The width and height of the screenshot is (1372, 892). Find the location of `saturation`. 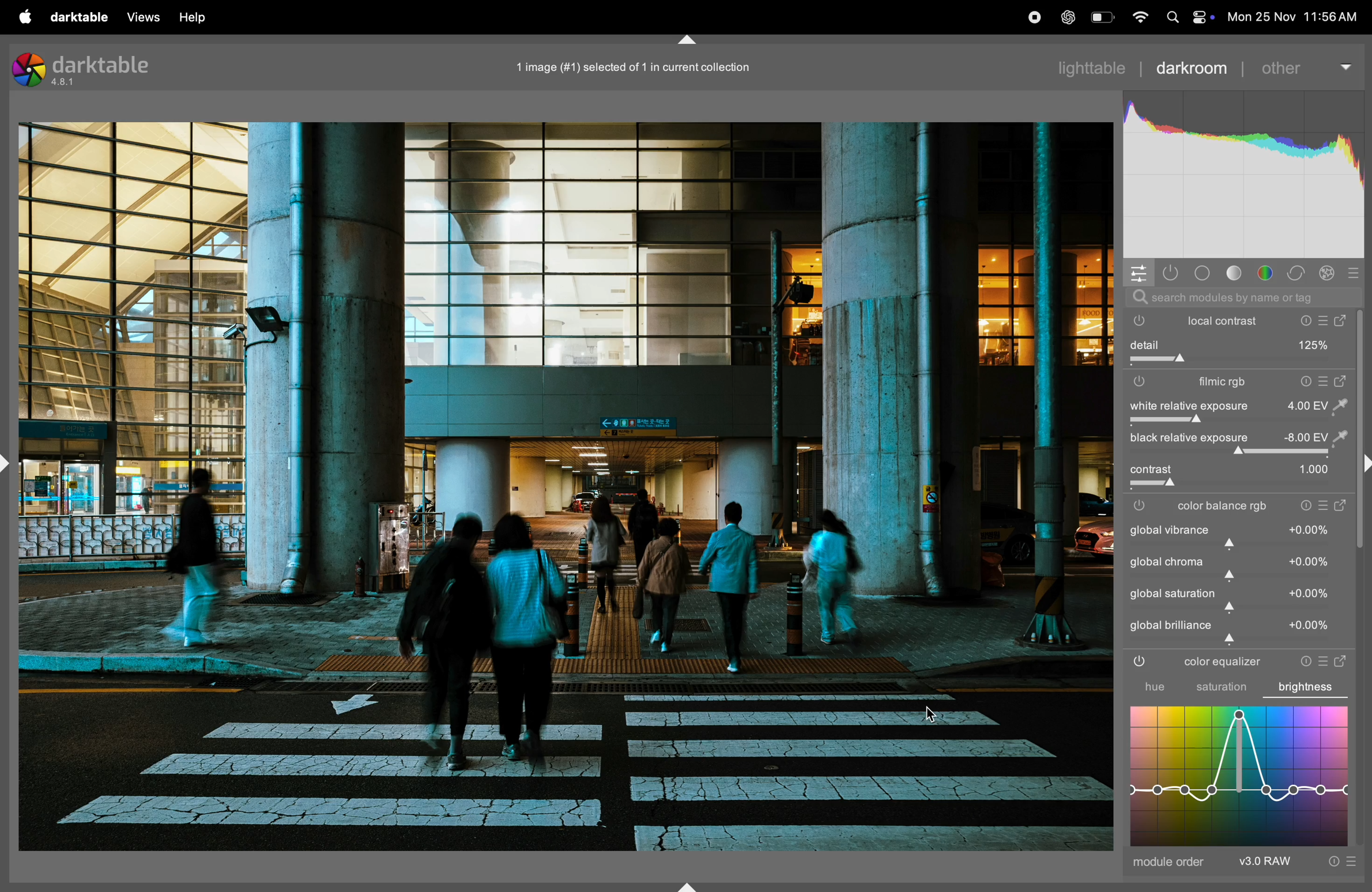

saturation is located at coordinates (1220, 689).